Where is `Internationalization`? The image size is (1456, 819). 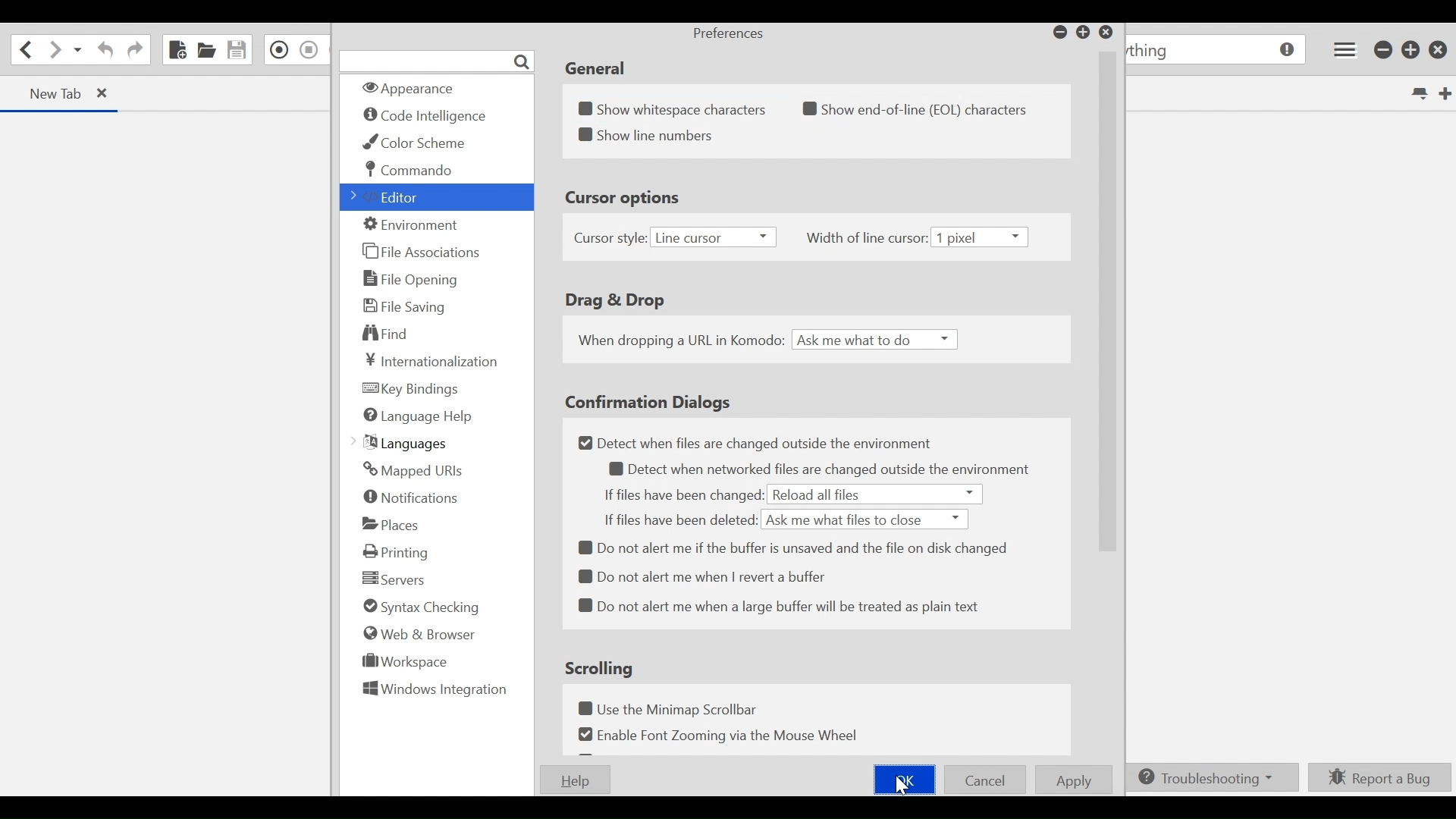
Internationalization is located at coordinates (434, 360).